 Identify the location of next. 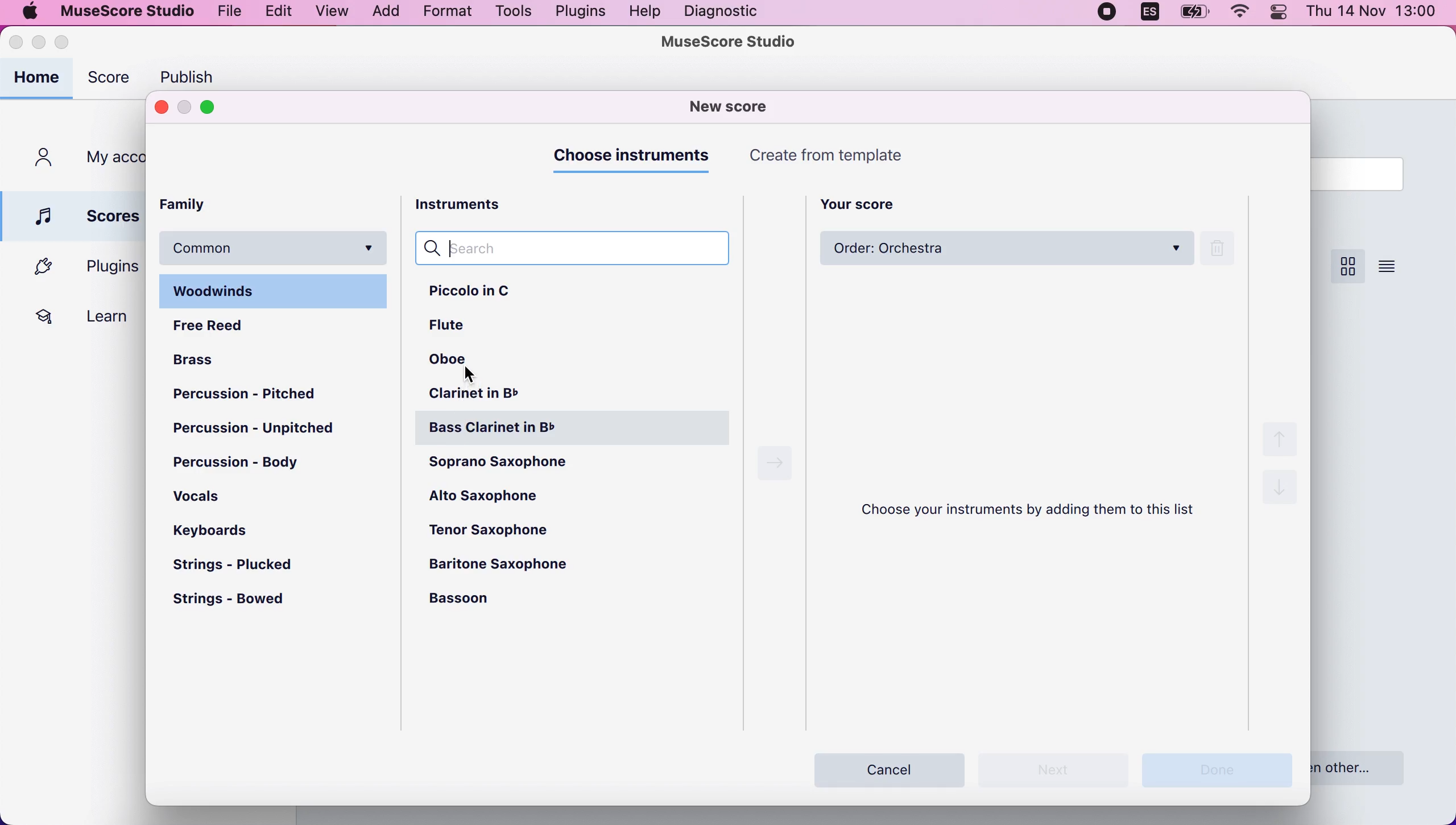
(776, 464).